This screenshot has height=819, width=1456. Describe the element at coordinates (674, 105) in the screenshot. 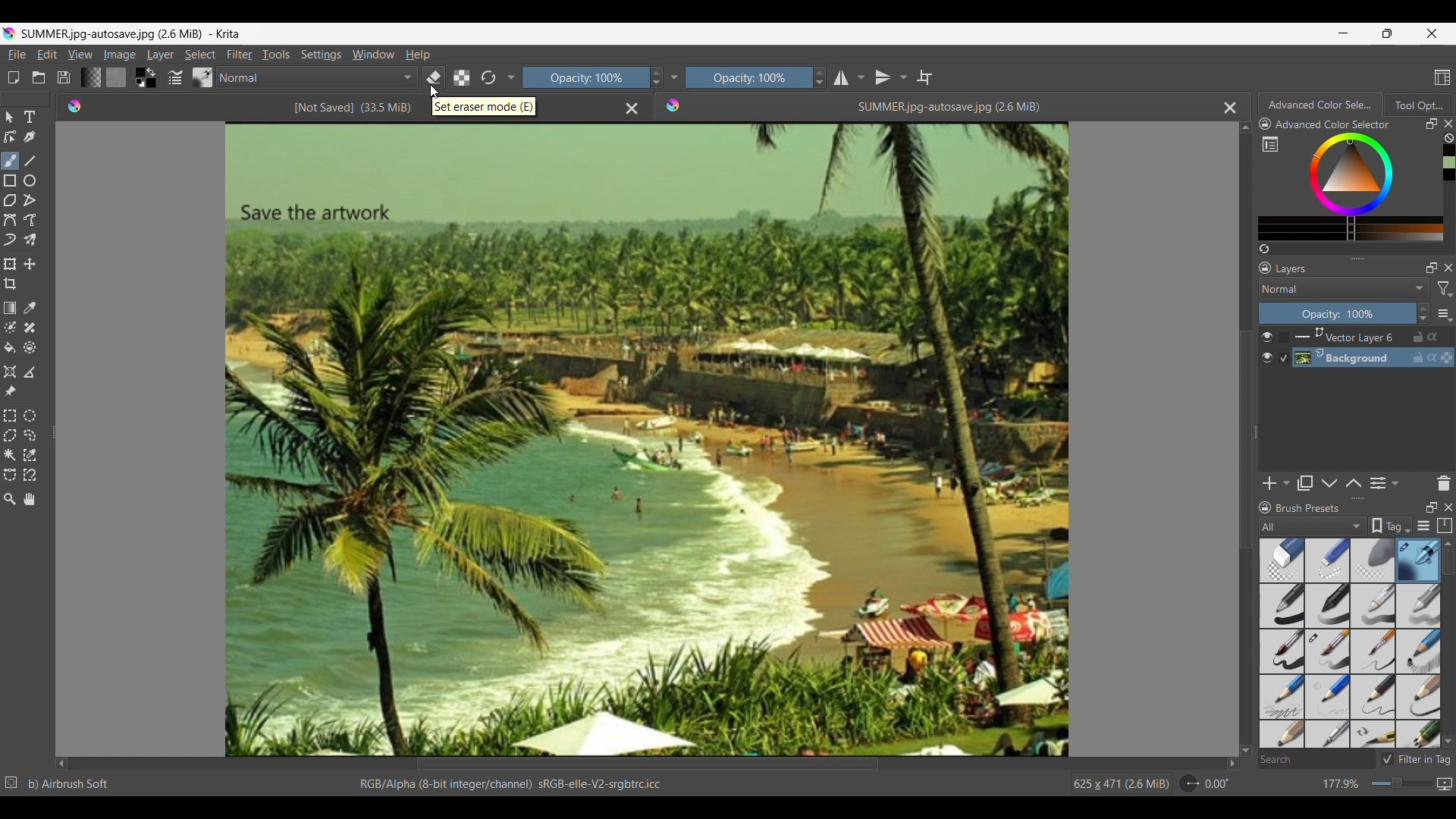

I see `Logo` at that location.